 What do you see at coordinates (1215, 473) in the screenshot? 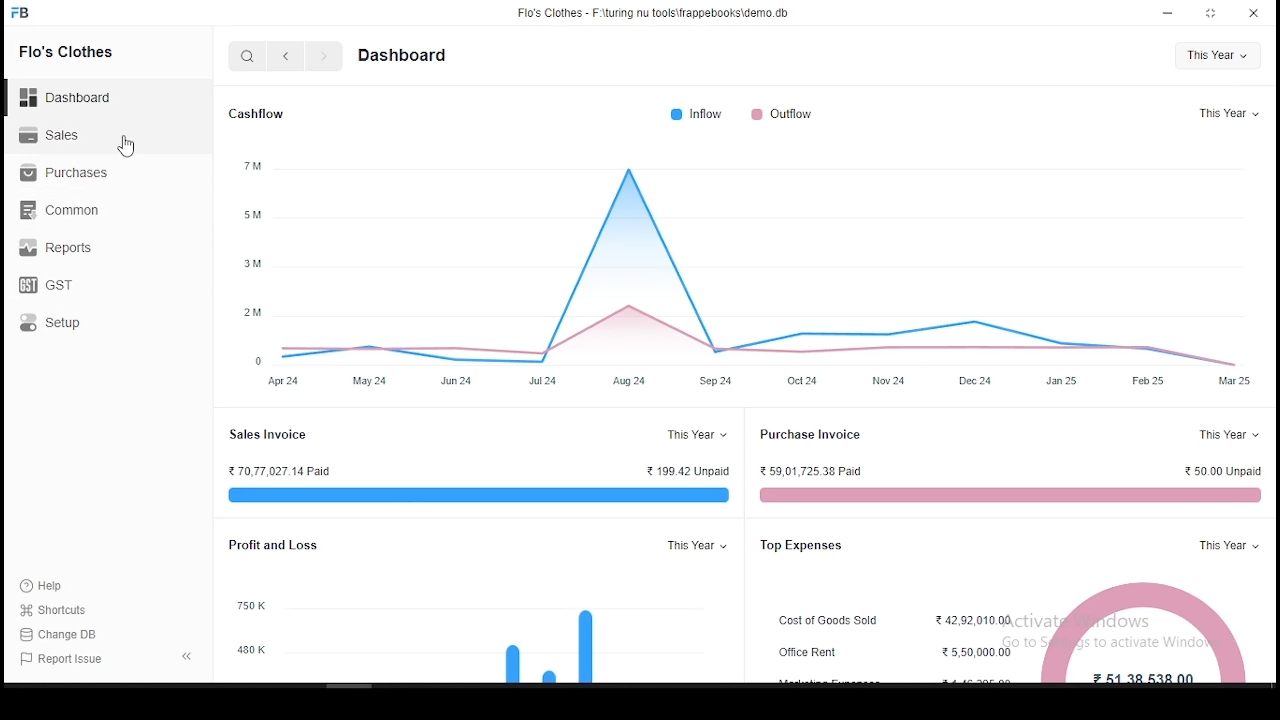
I see `50.00 Unpaid` at bounding box center [1215, 473].